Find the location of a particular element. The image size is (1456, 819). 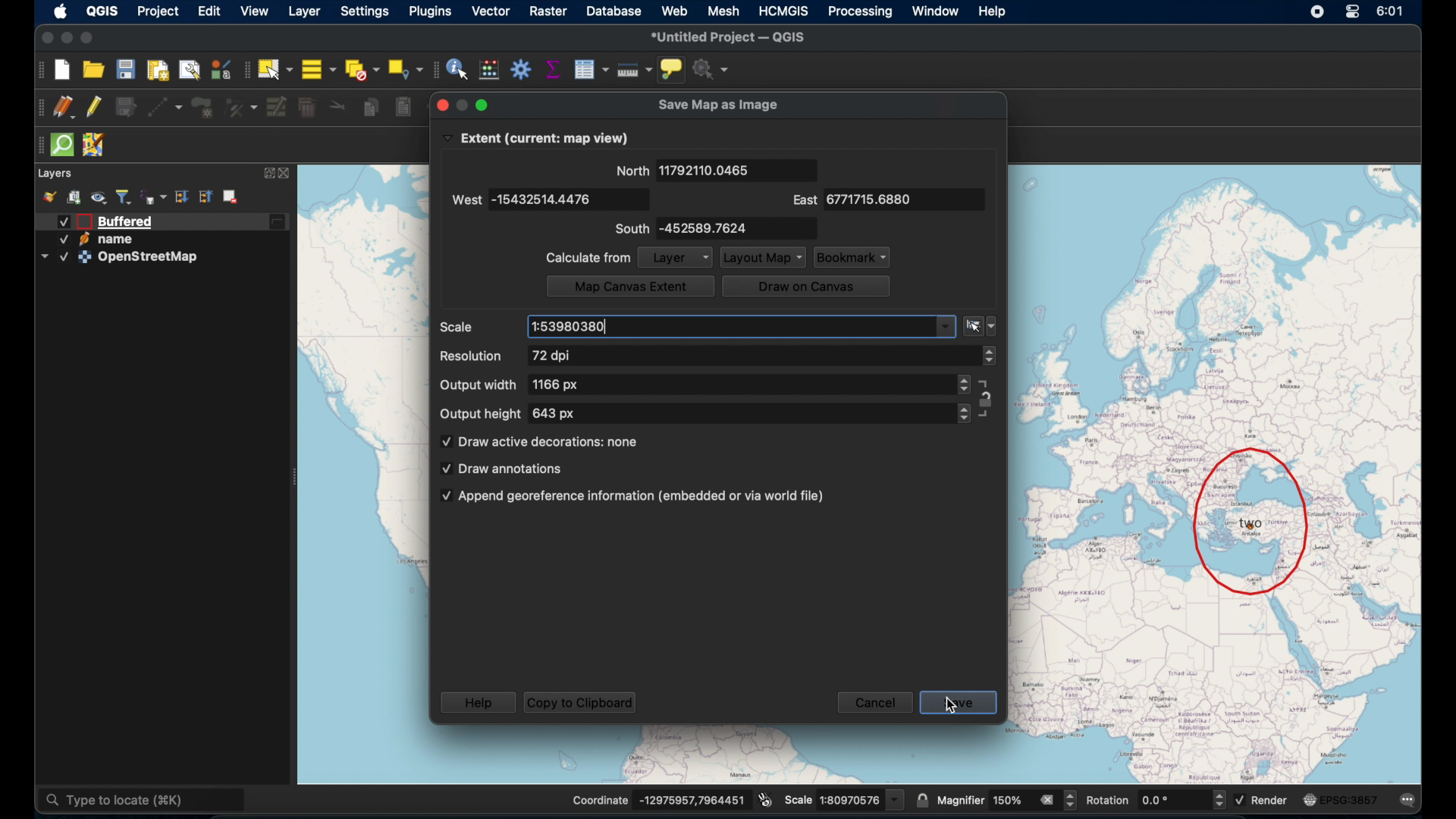

minimize is located at coordinates (486, 105).